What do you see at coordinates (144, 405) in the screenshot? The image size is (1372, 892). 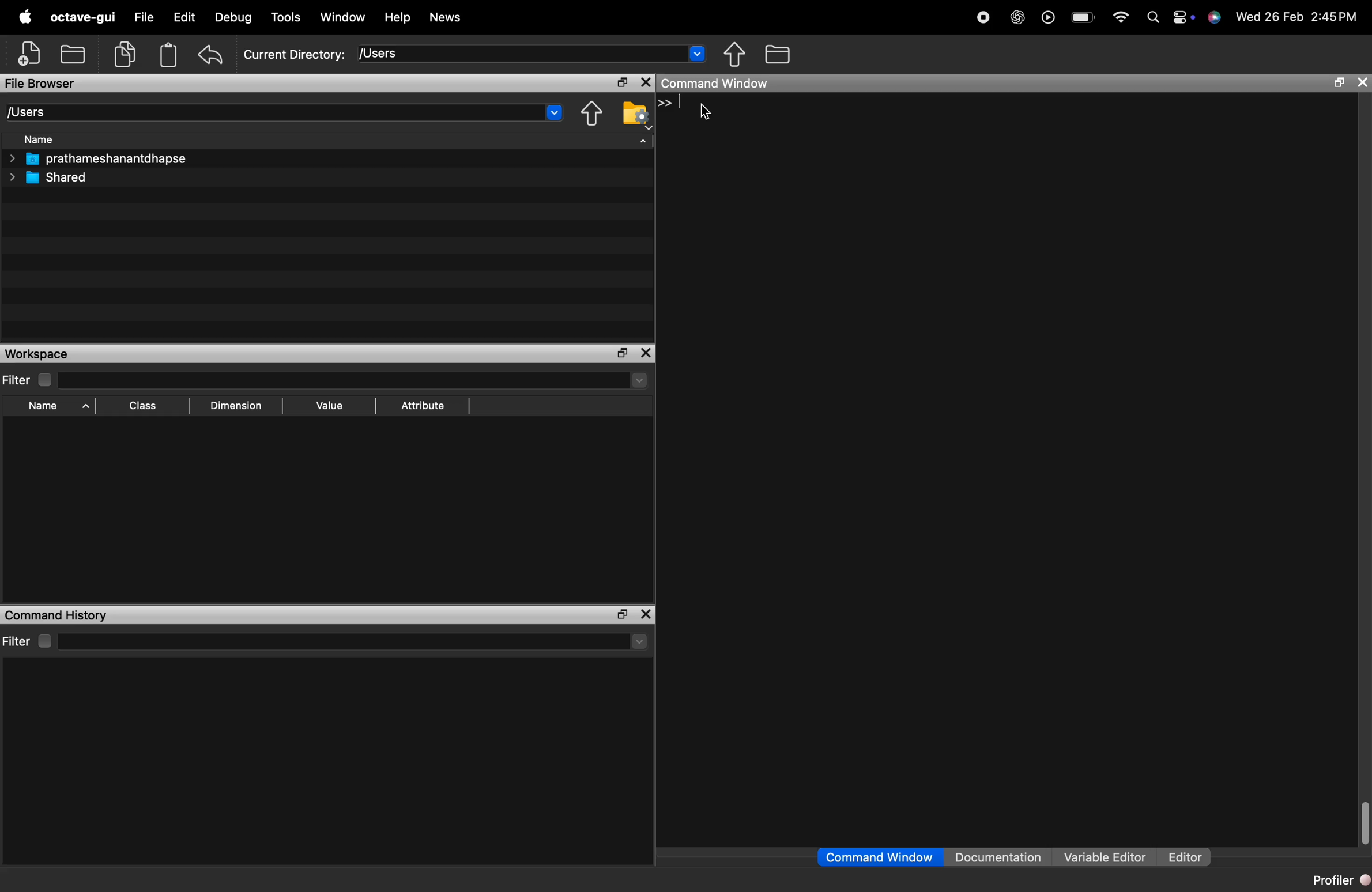 I see `Class` at bounding box center [144, 405].